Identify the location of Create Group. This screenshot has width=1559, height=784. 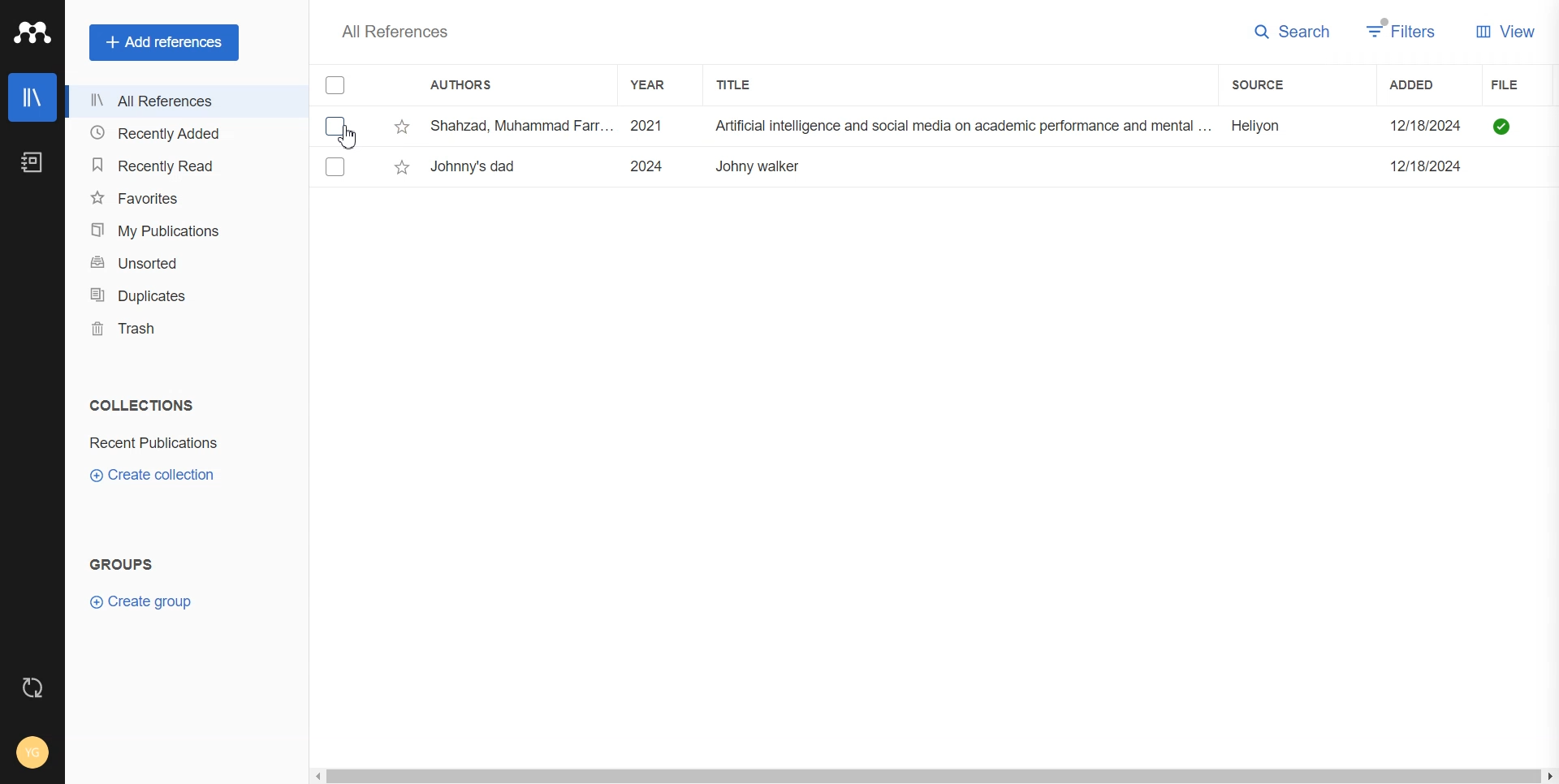
(149, 601).